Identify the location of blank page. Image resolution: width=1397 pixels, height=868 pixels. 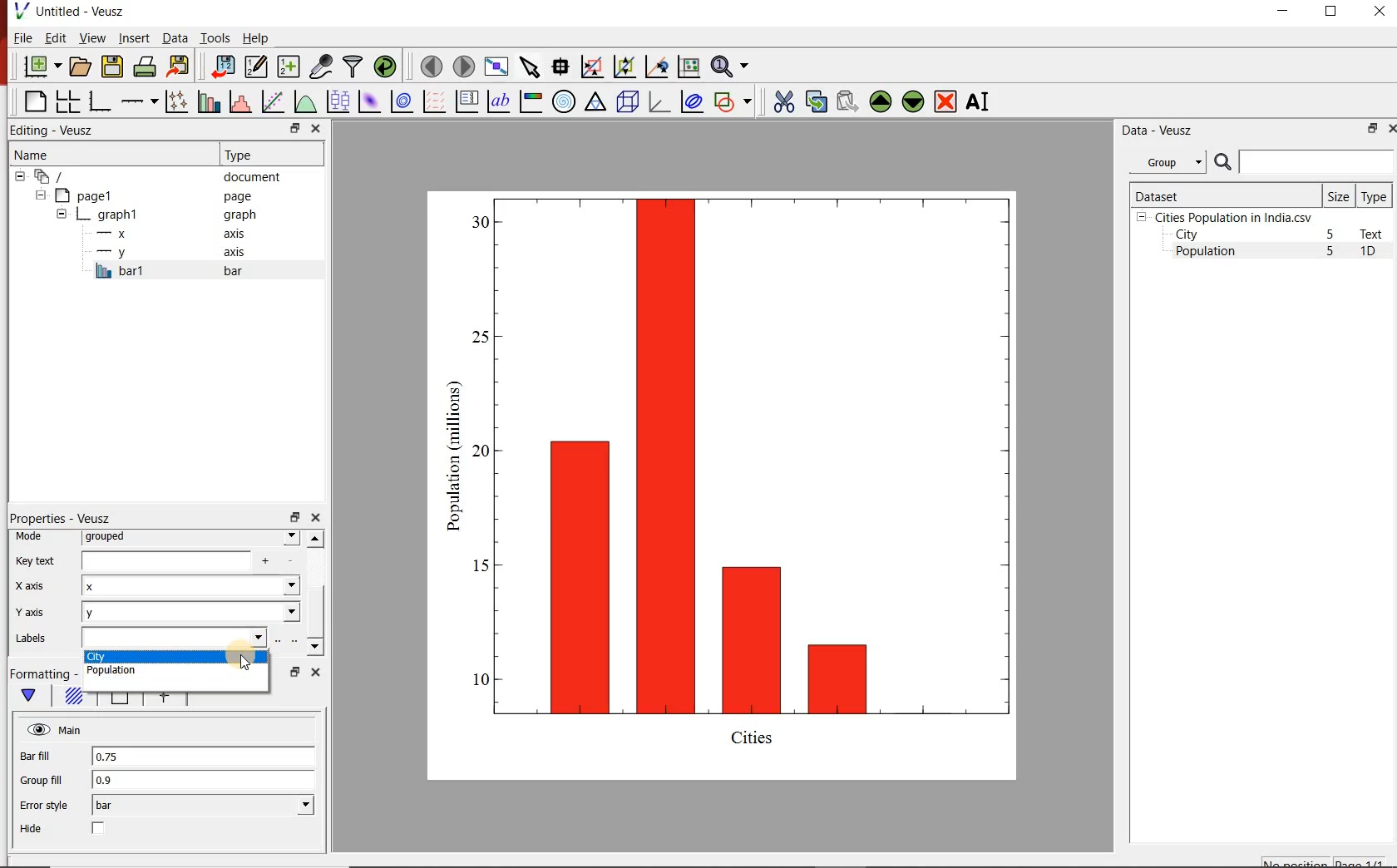
(33, 102).